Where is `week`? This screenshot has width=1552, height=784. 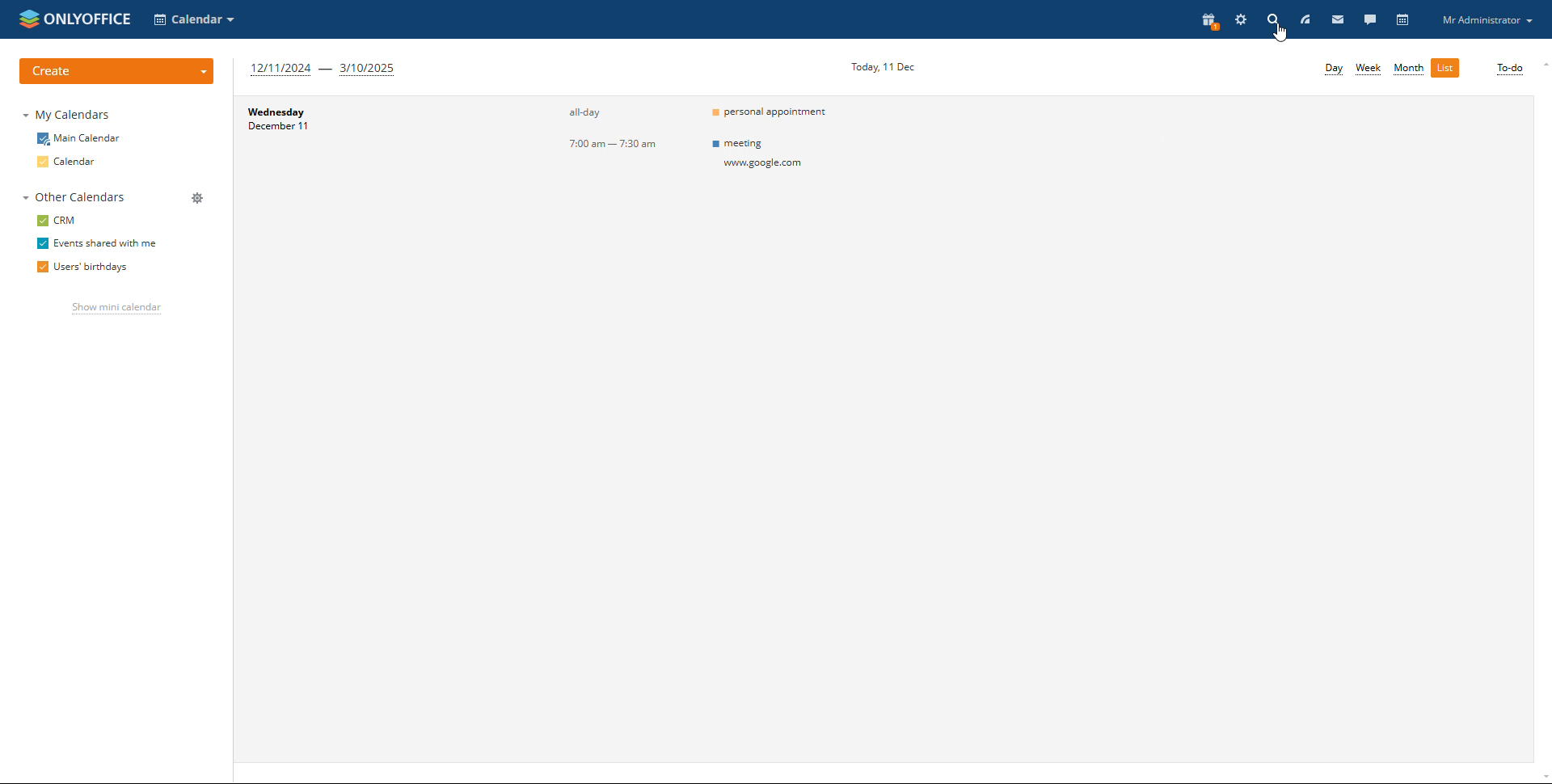
week is located at coordinates (1370, 70).